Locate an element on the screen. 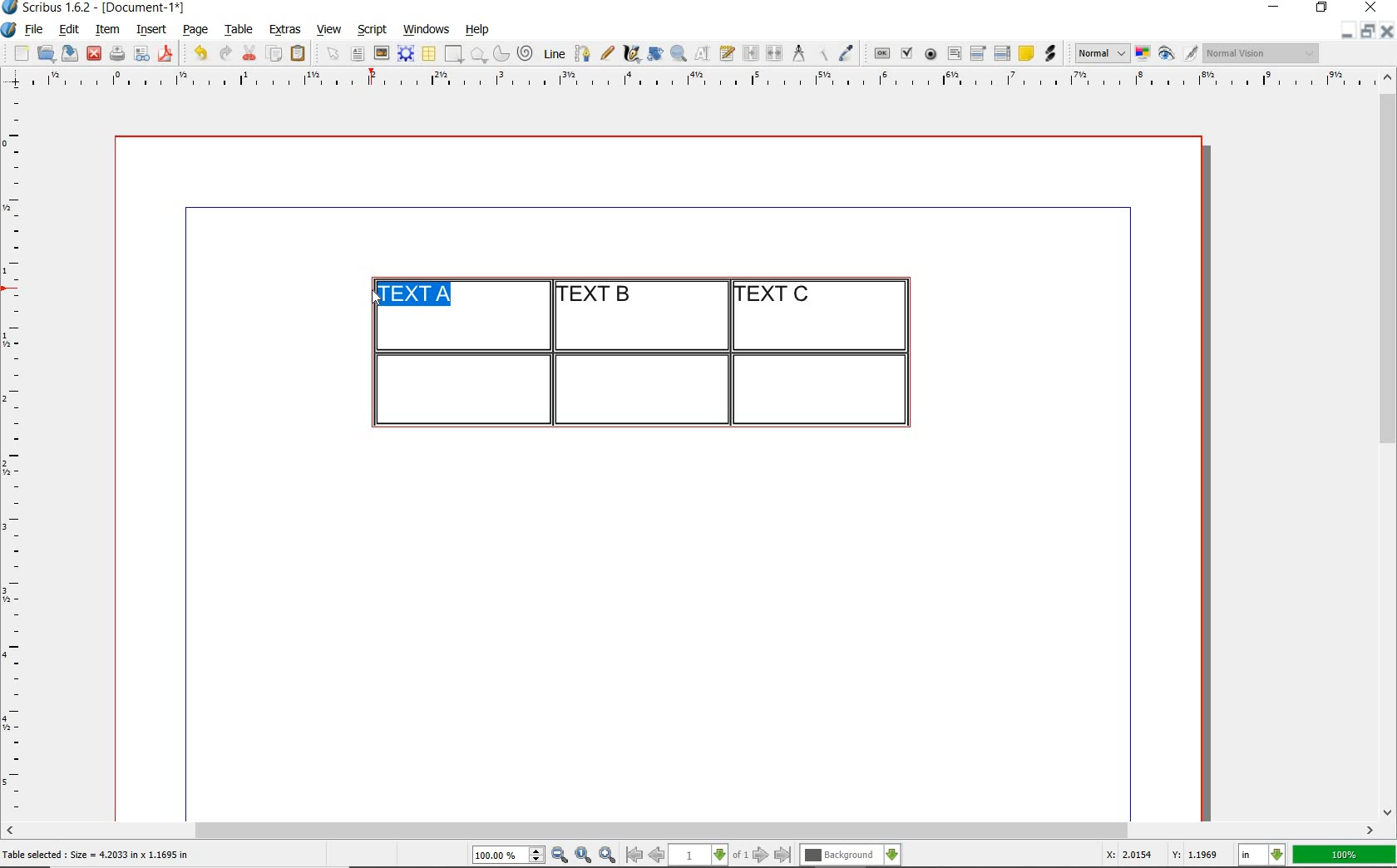 This screenshot has width=1397, height=868. render frame is located at coordinates (406, 54).